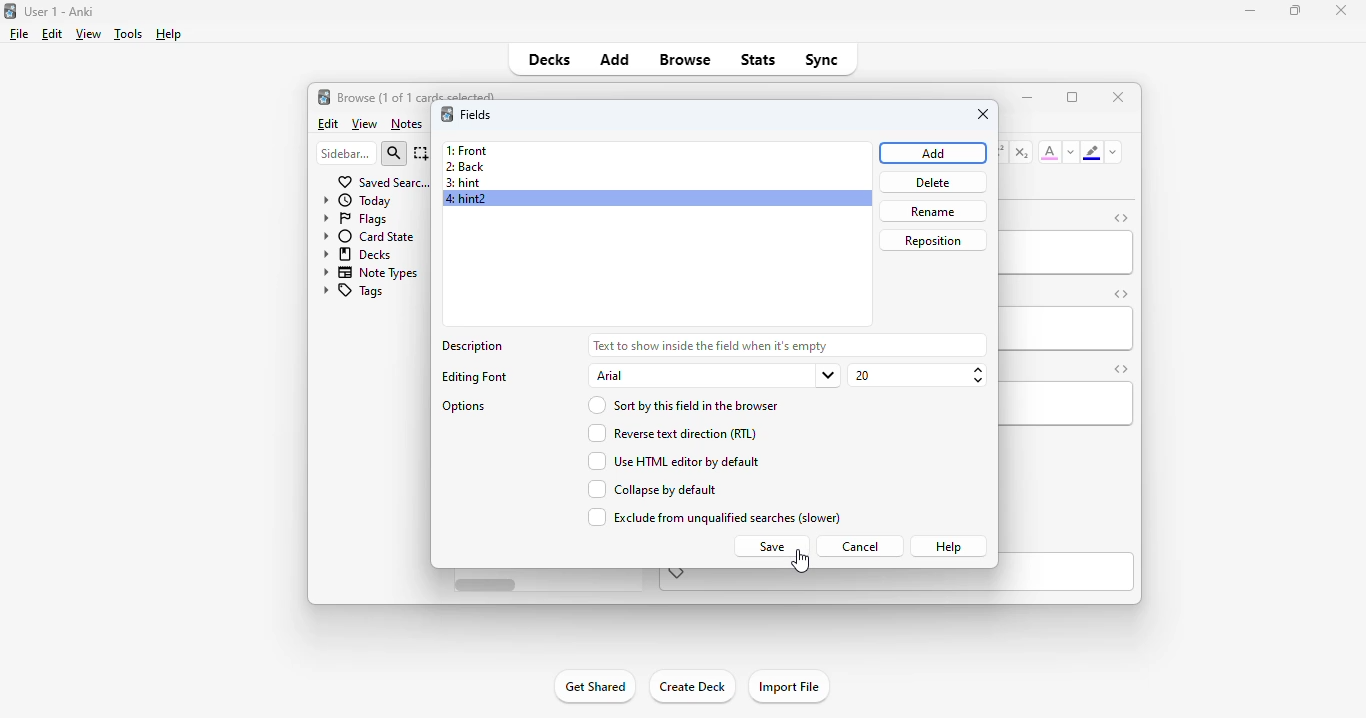 The width and height of the screenshot is (1366, 718). I want to click on get shared, so click(594, 686).